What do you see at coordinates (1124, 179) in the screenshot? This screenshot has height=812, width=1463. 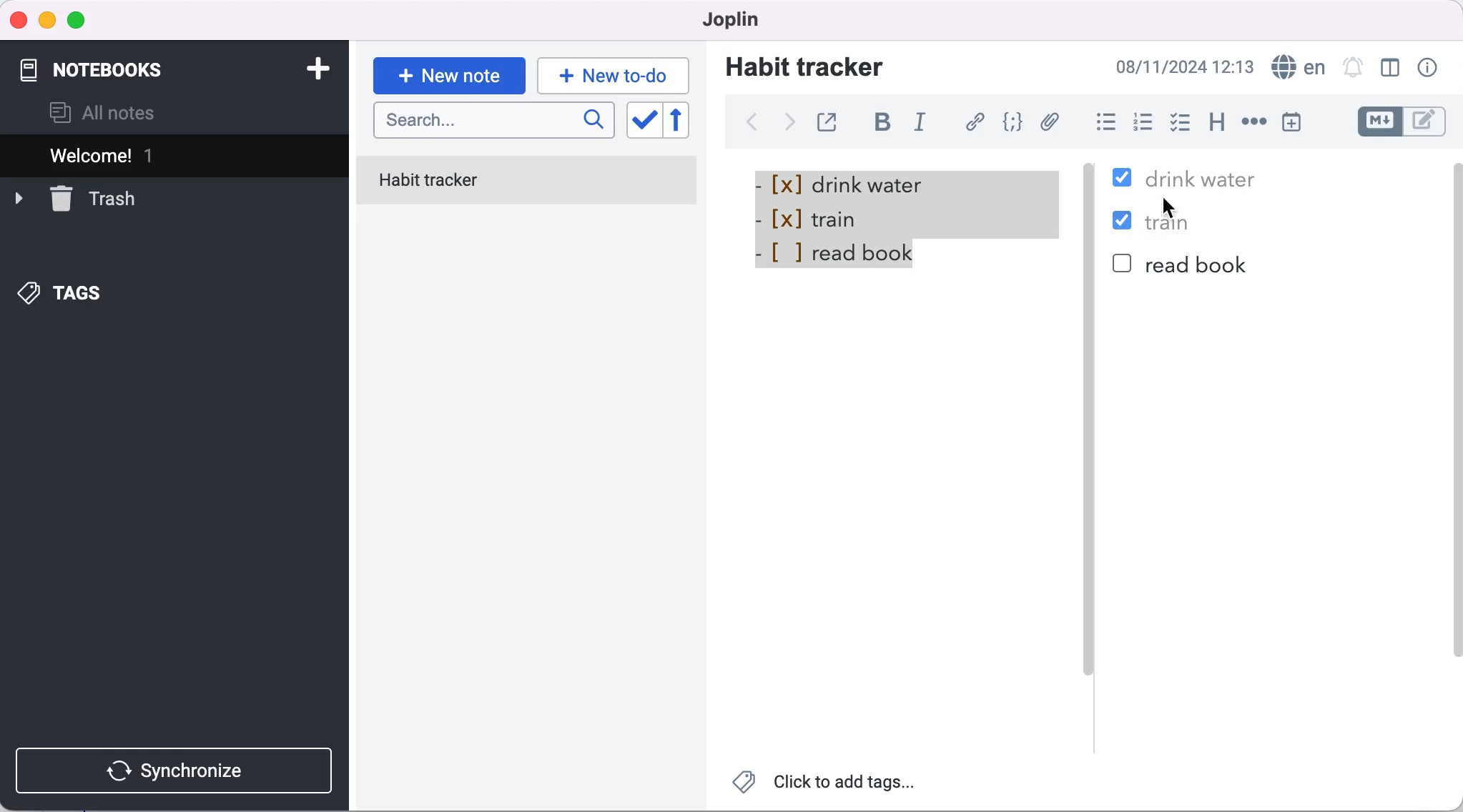 I see `box 1 selected` at bounding box center [1124, 179].